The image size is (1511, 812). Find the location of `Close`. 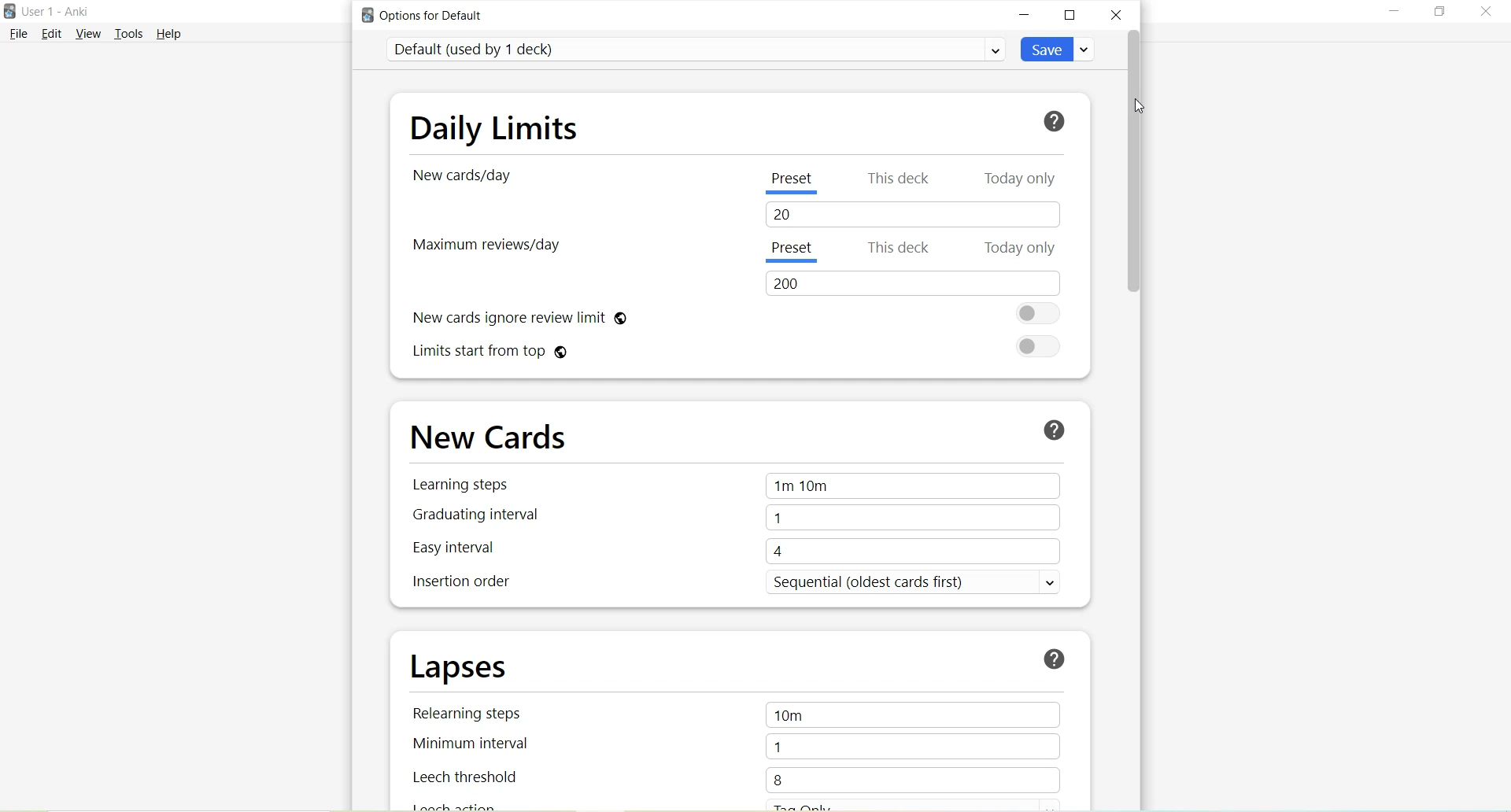

Close is located at coordinates (1484, 14).